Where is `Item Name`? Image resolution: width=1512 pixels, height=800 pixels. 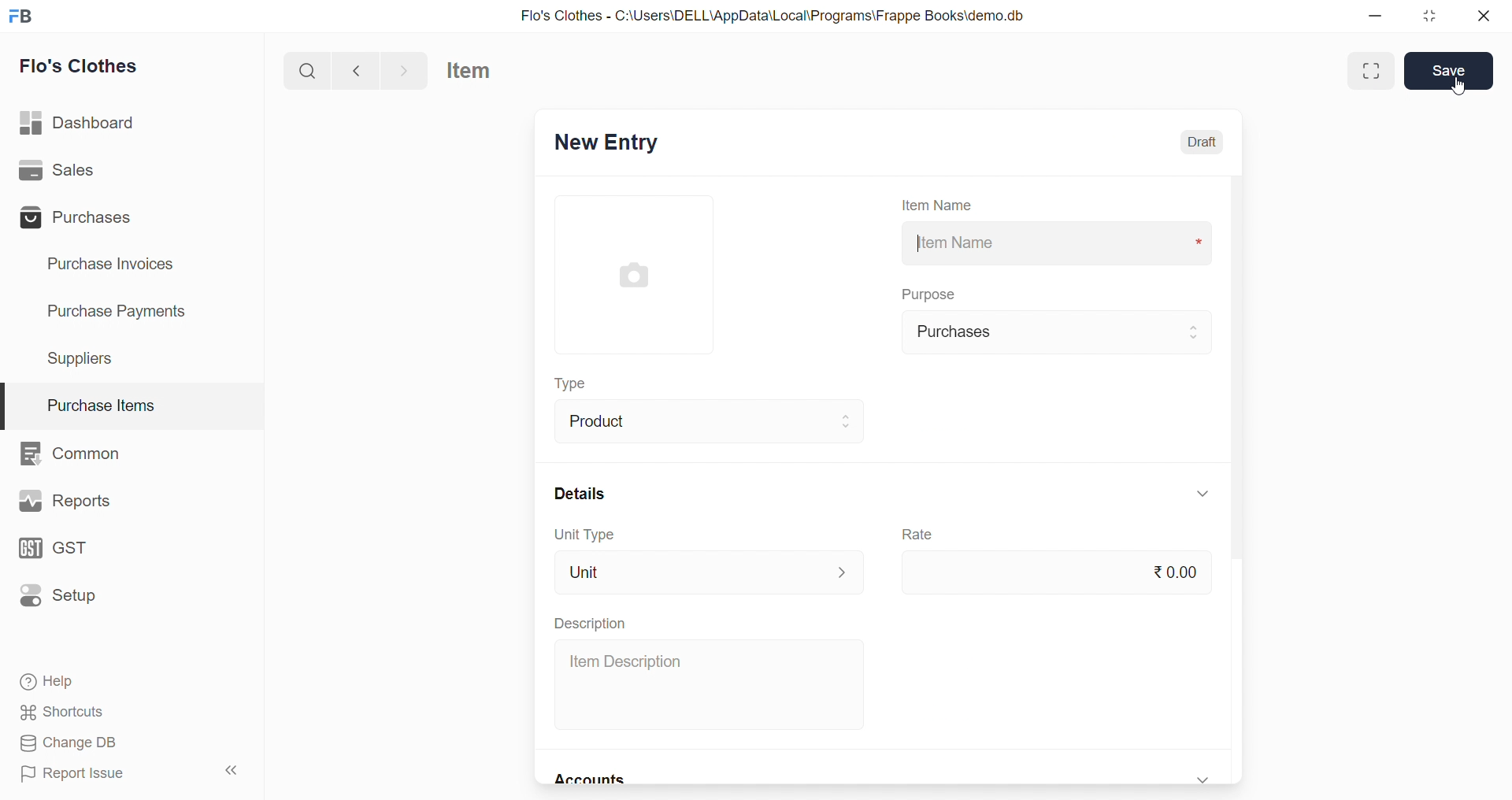
Item Name is located at coordinates (1058, 245).